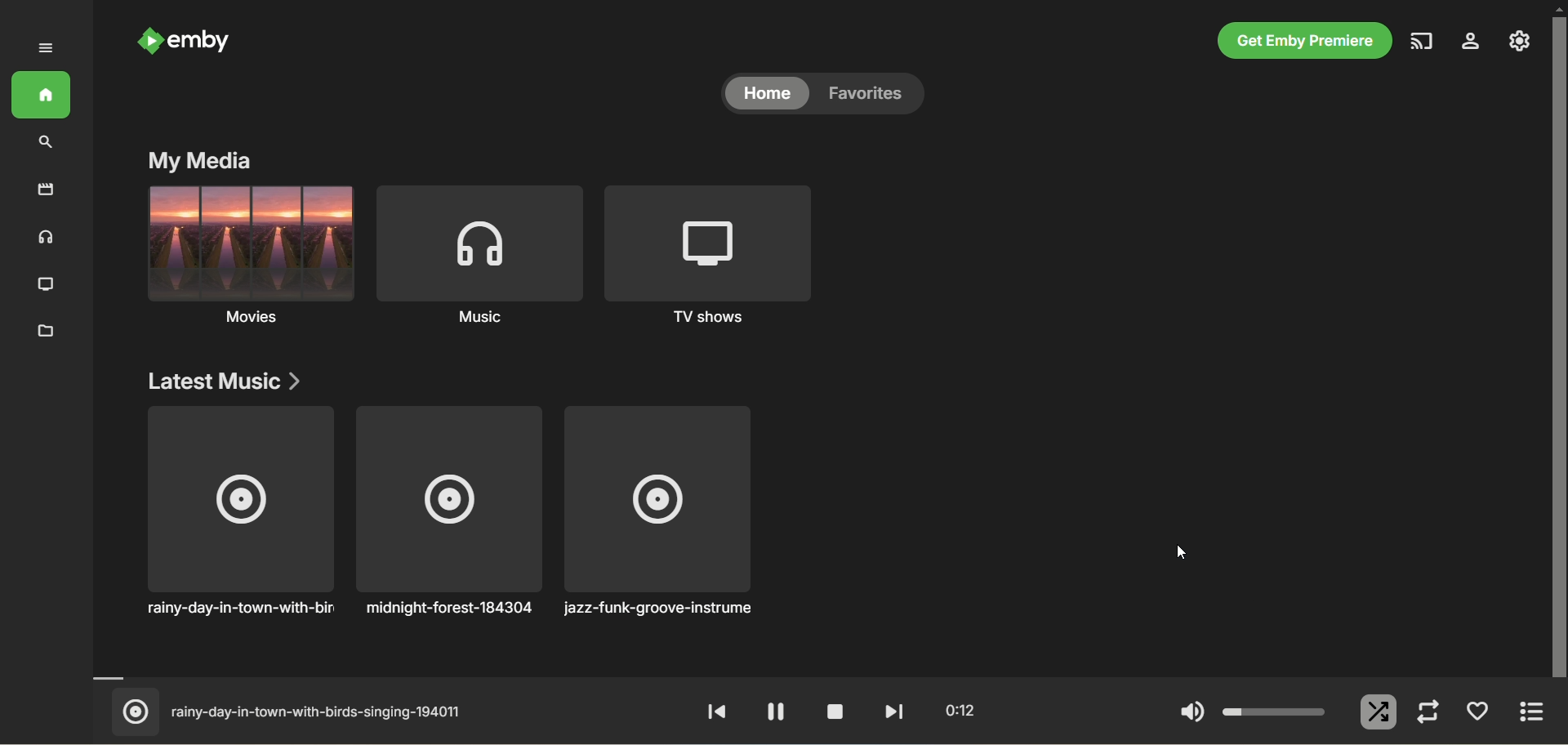 The image size is (1568, 745). Describe the element at coordinates (244, 511) in the screenshot. I see `rainy-day-in-town-with-birds singing` at that location.